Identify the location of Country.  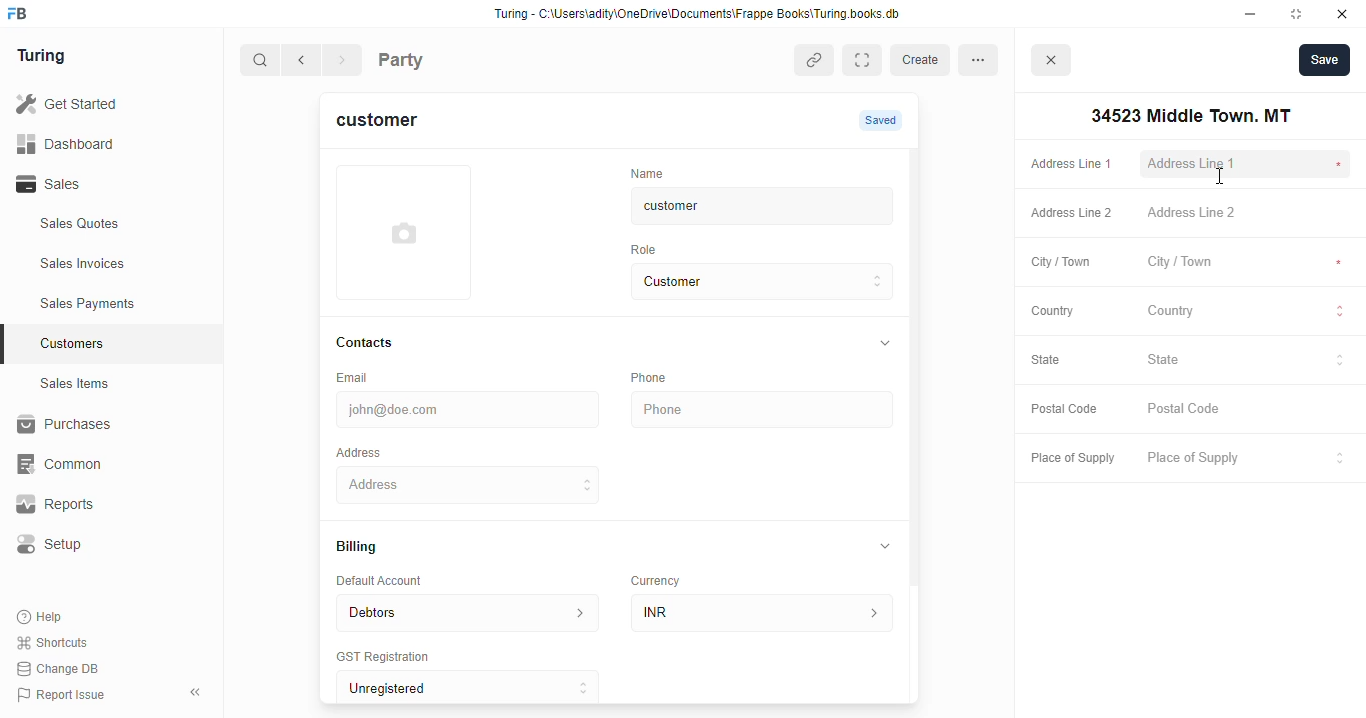
(1051, 310).